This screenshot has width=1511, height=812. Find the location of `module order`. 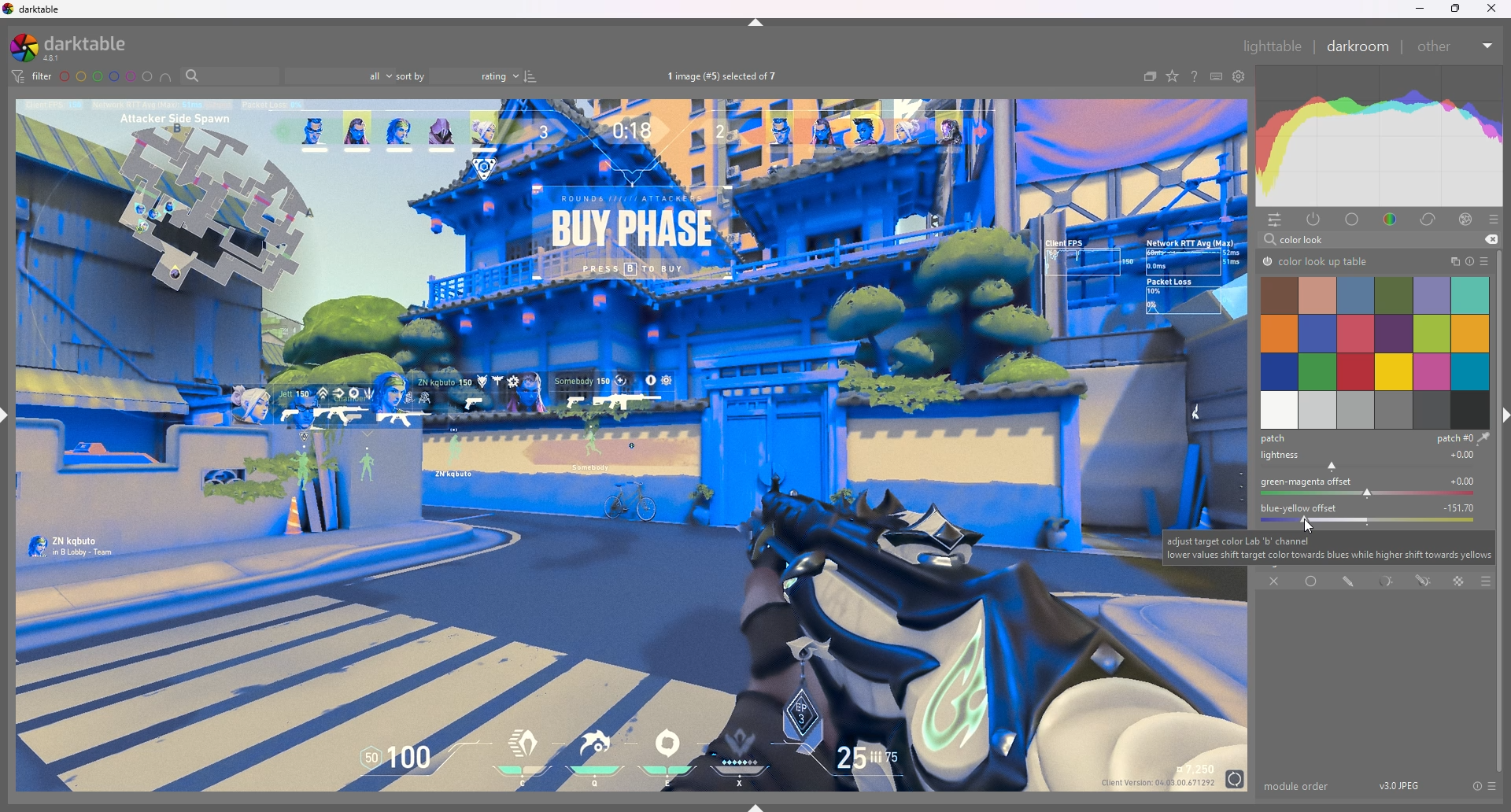

module order is located at coordinates (1299, 786).